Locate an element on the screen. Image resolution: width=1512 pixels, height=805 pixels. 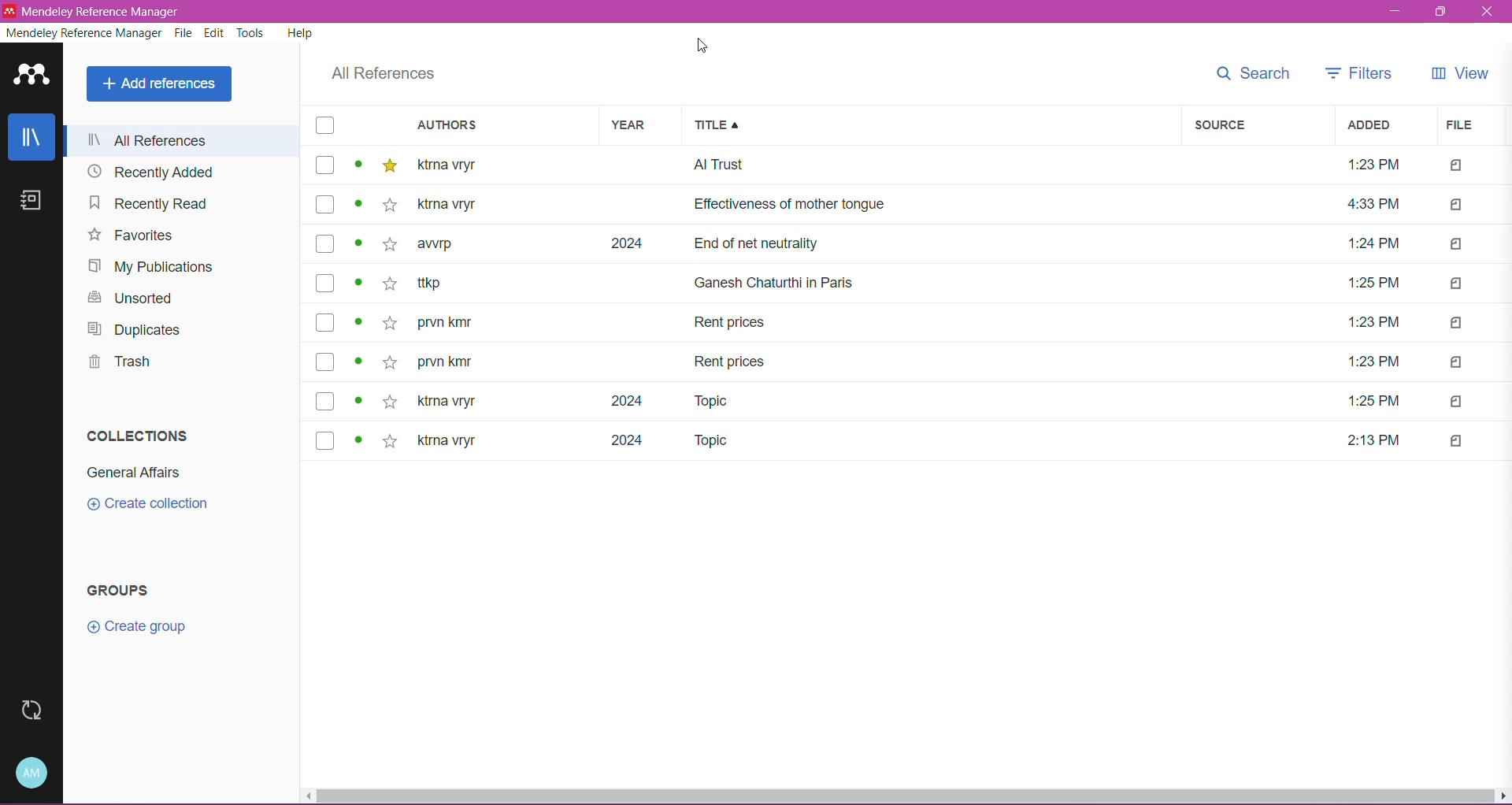
Notes is located at coordinates (35, 203).